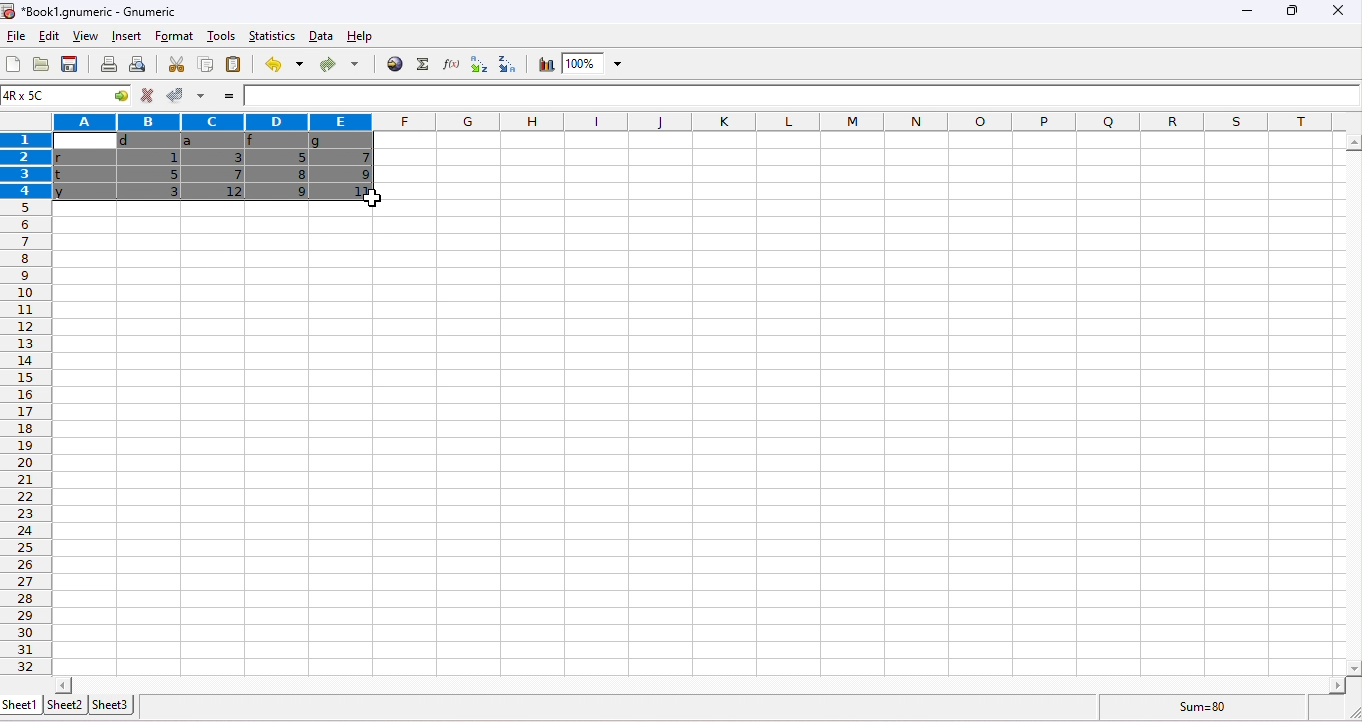 This screenshot has height=722, width=1362. I want to click on horizontal slider, so click(699, 685).